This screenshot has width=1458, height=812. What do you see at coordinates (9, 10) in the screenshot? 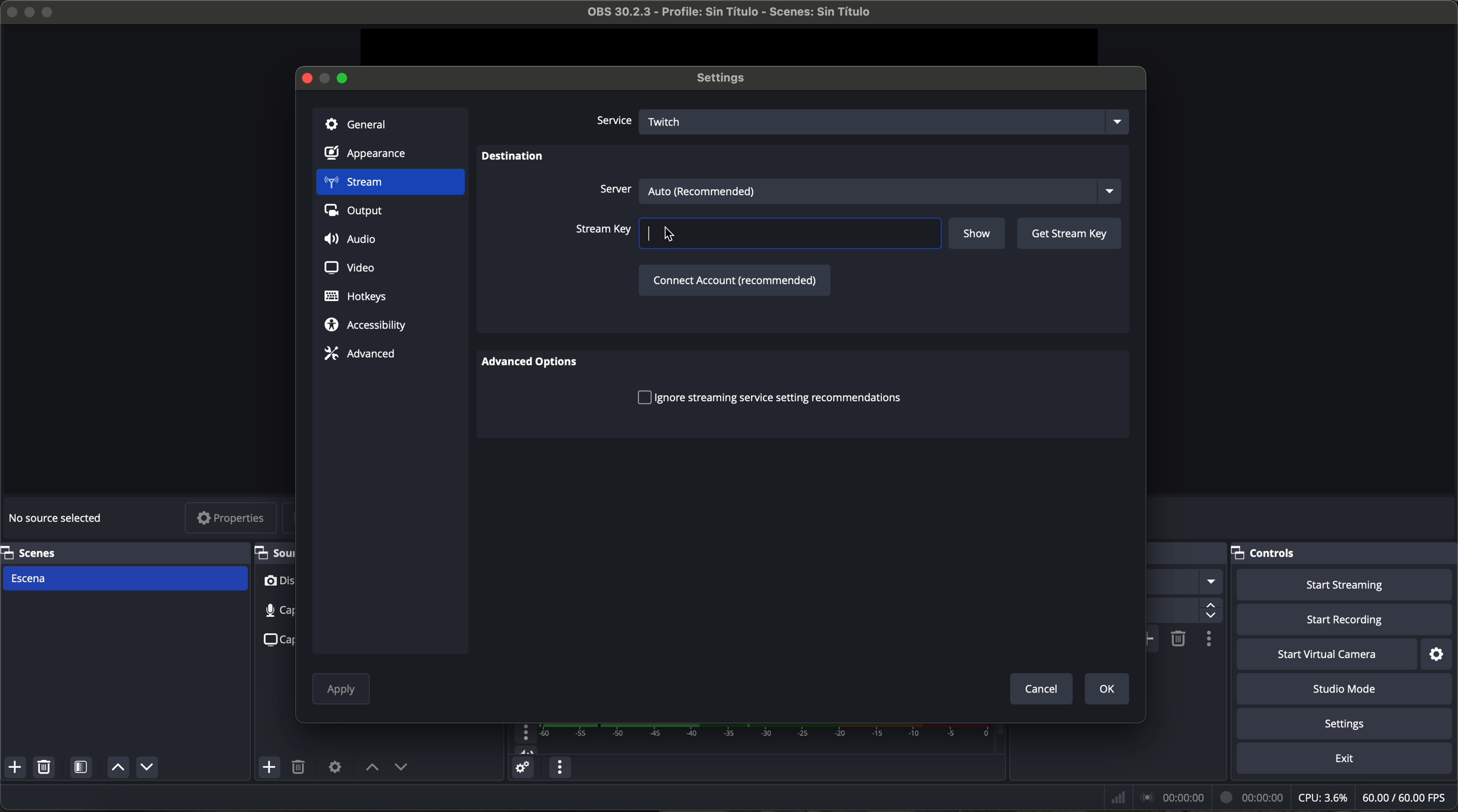
I see `close program` at bounding box center [9, 10].